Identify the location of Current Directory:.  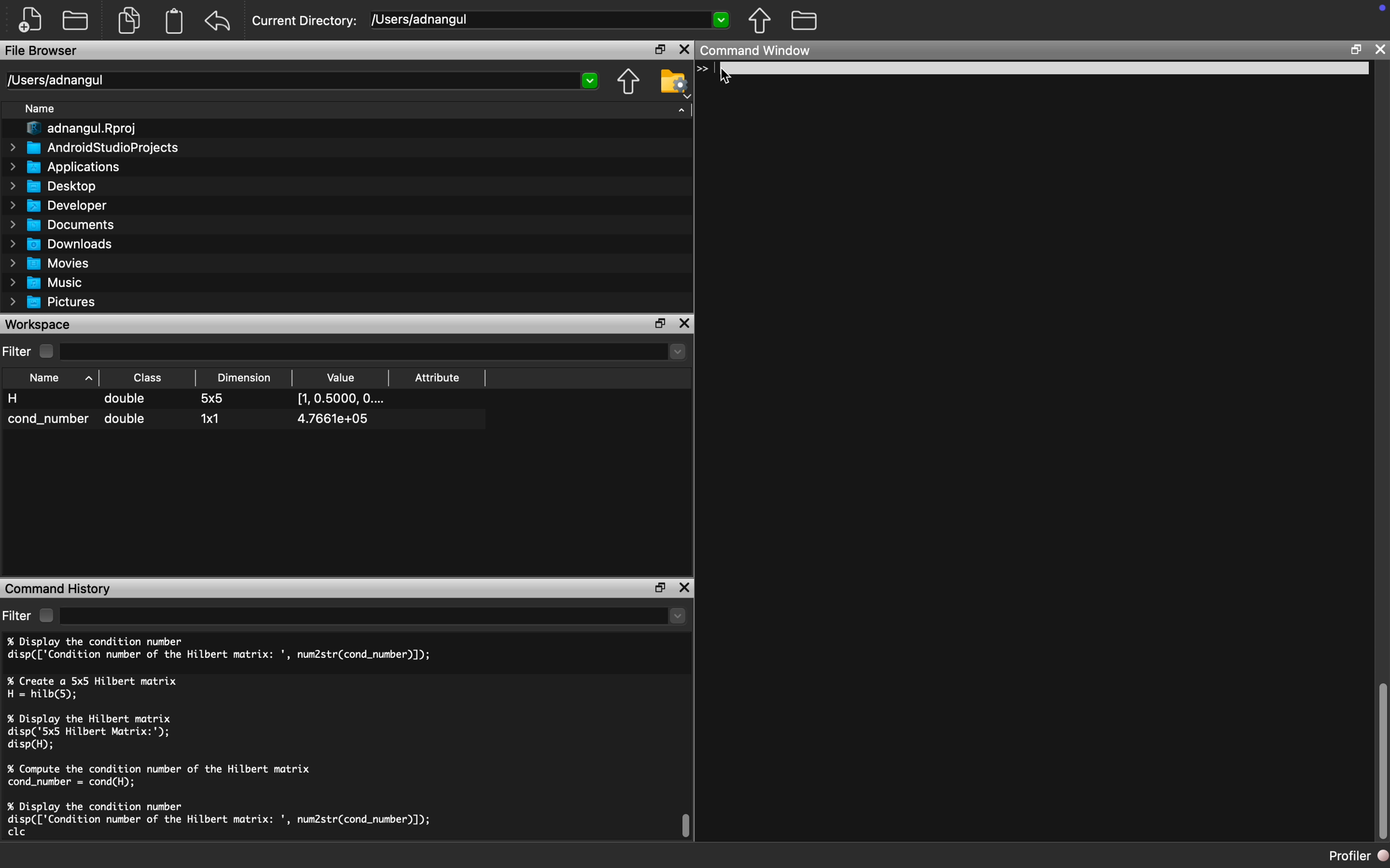
(304, 22).